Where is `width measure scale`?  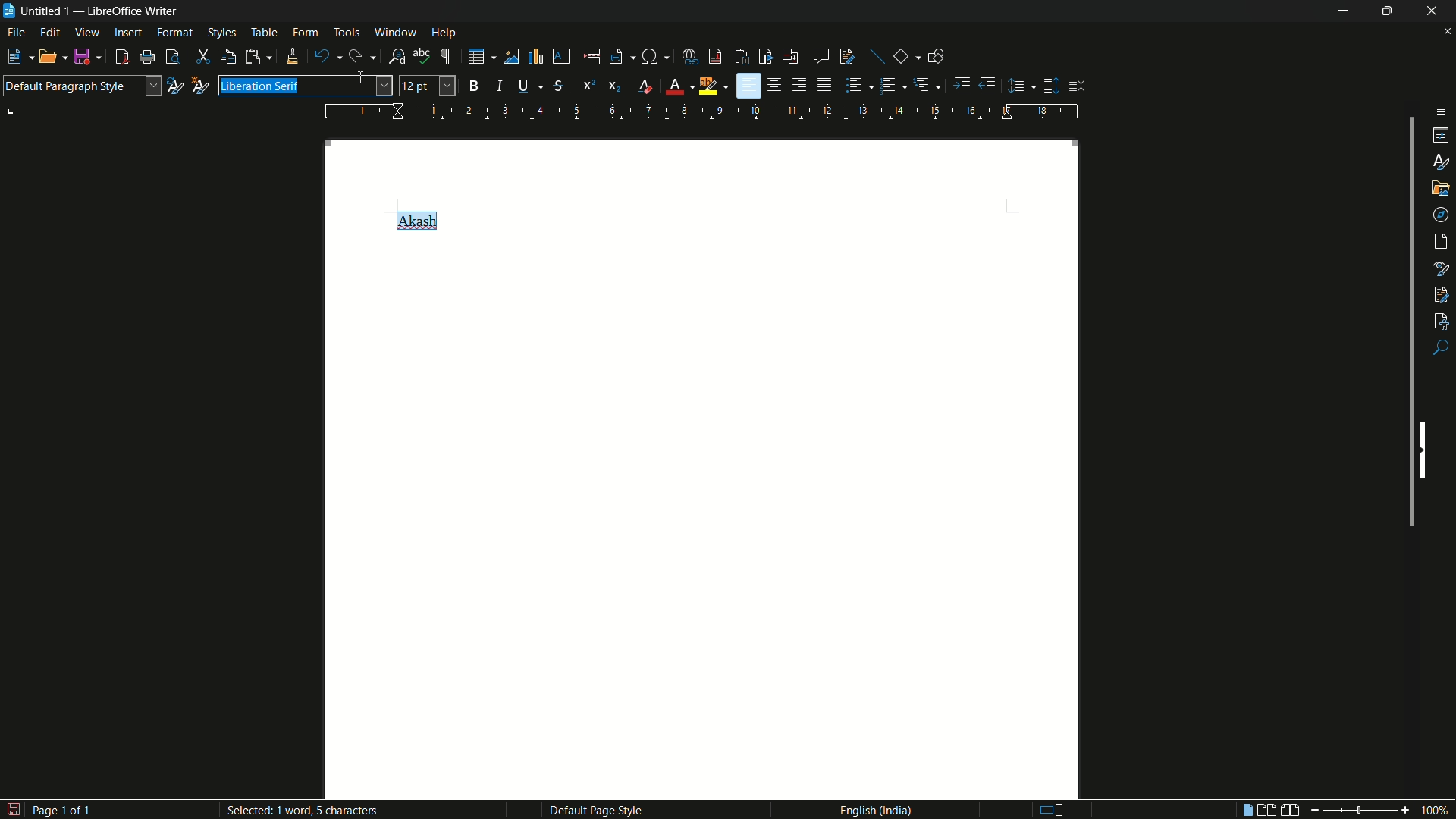 width measure scale is located at coordinates (703, 111).